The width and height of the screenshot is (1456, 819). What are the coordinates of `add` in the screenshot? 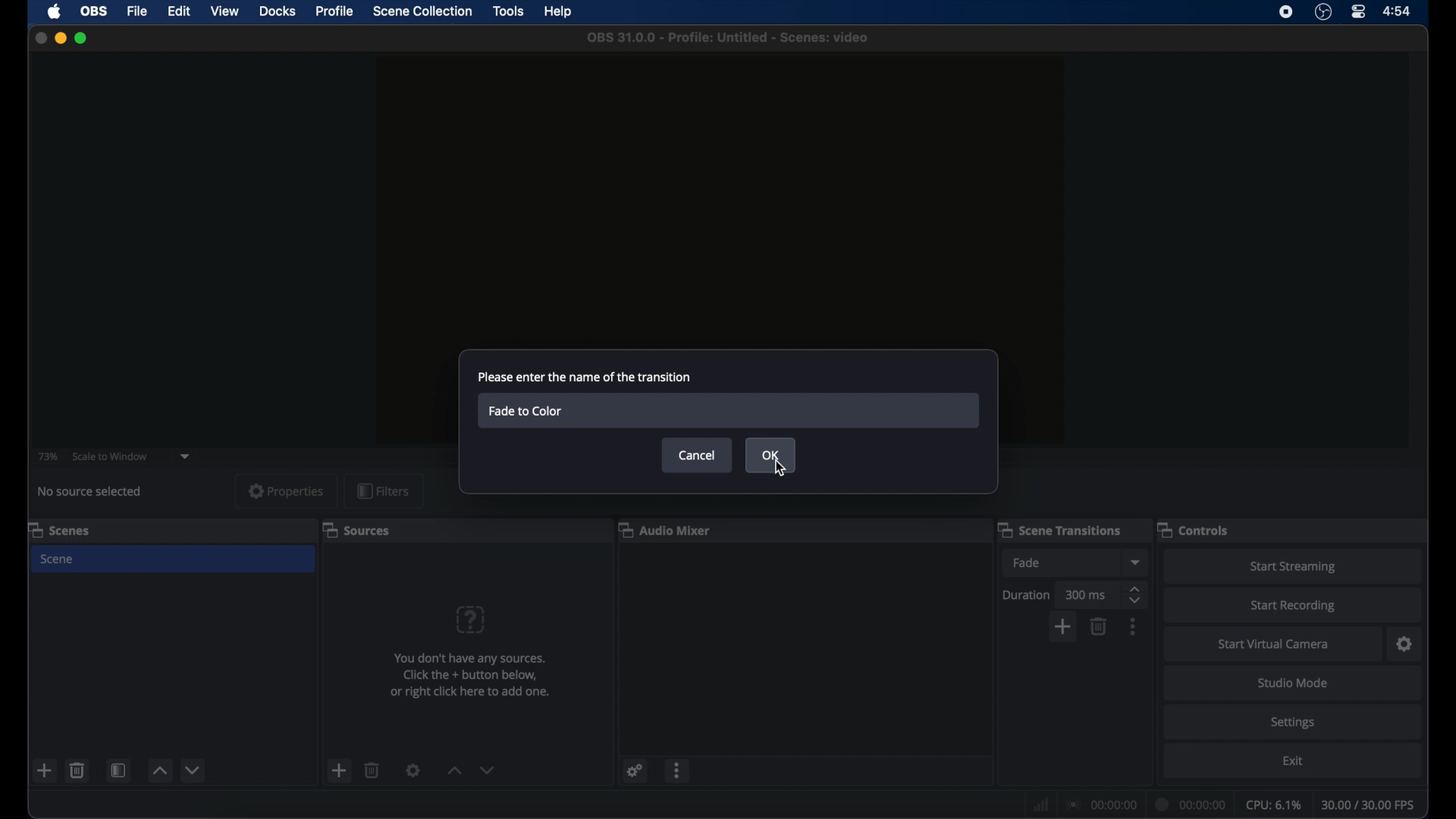 It's located at (340, 770).